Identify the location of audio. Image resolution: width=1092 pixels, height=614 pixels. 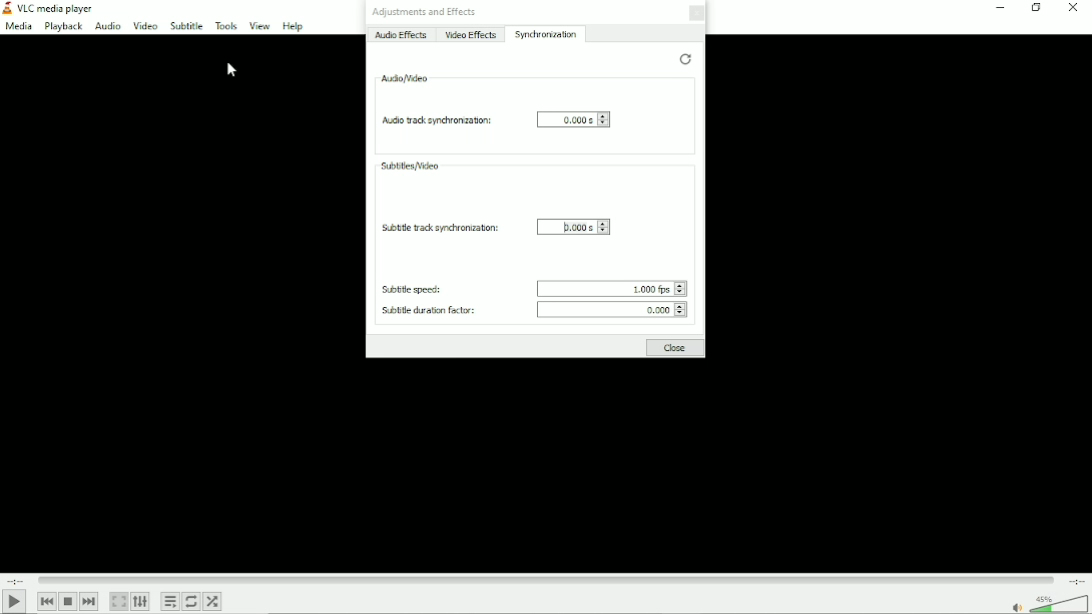
(106, 26).